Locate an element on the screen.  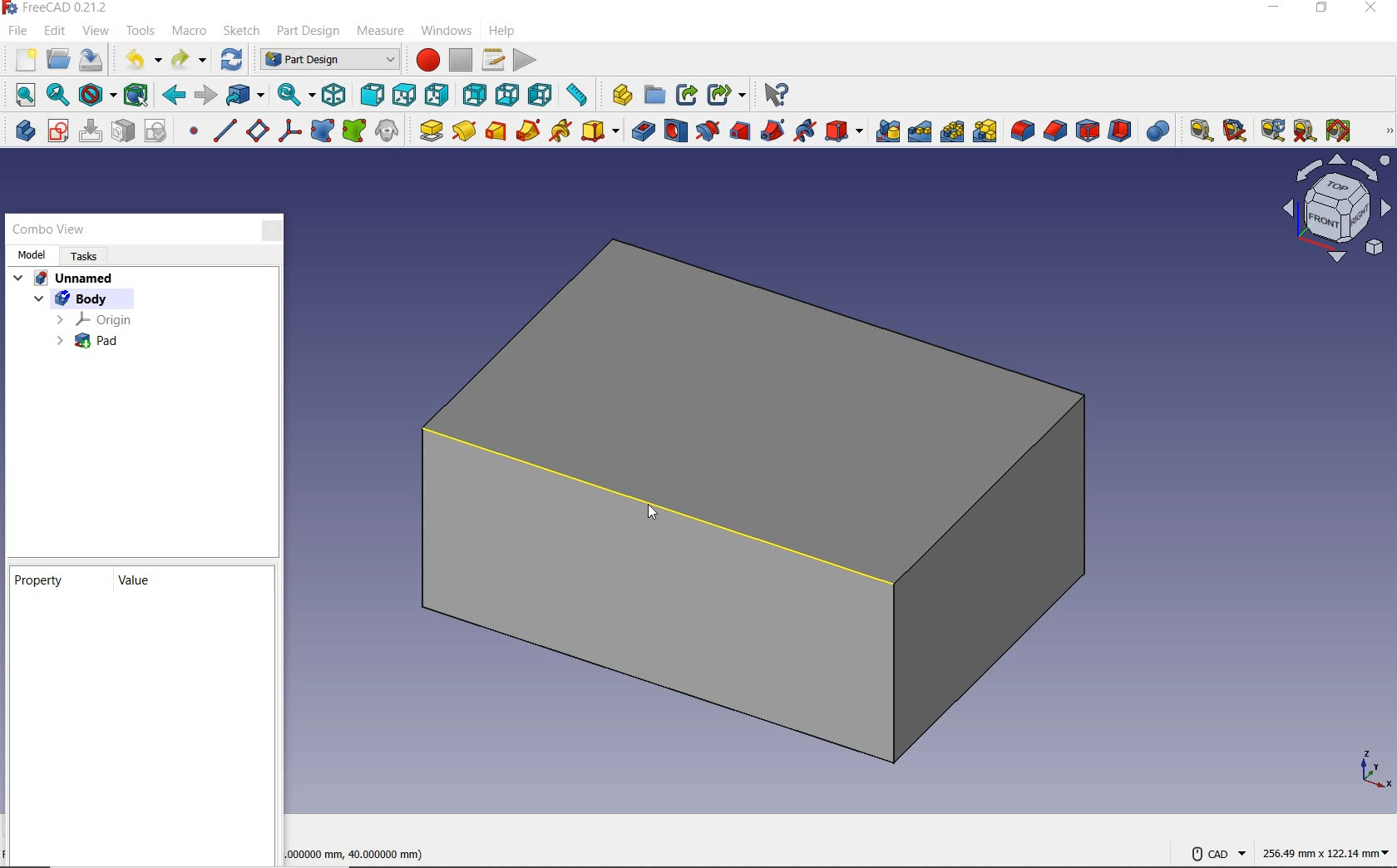
fit selection is located at coordinates (57, 95).